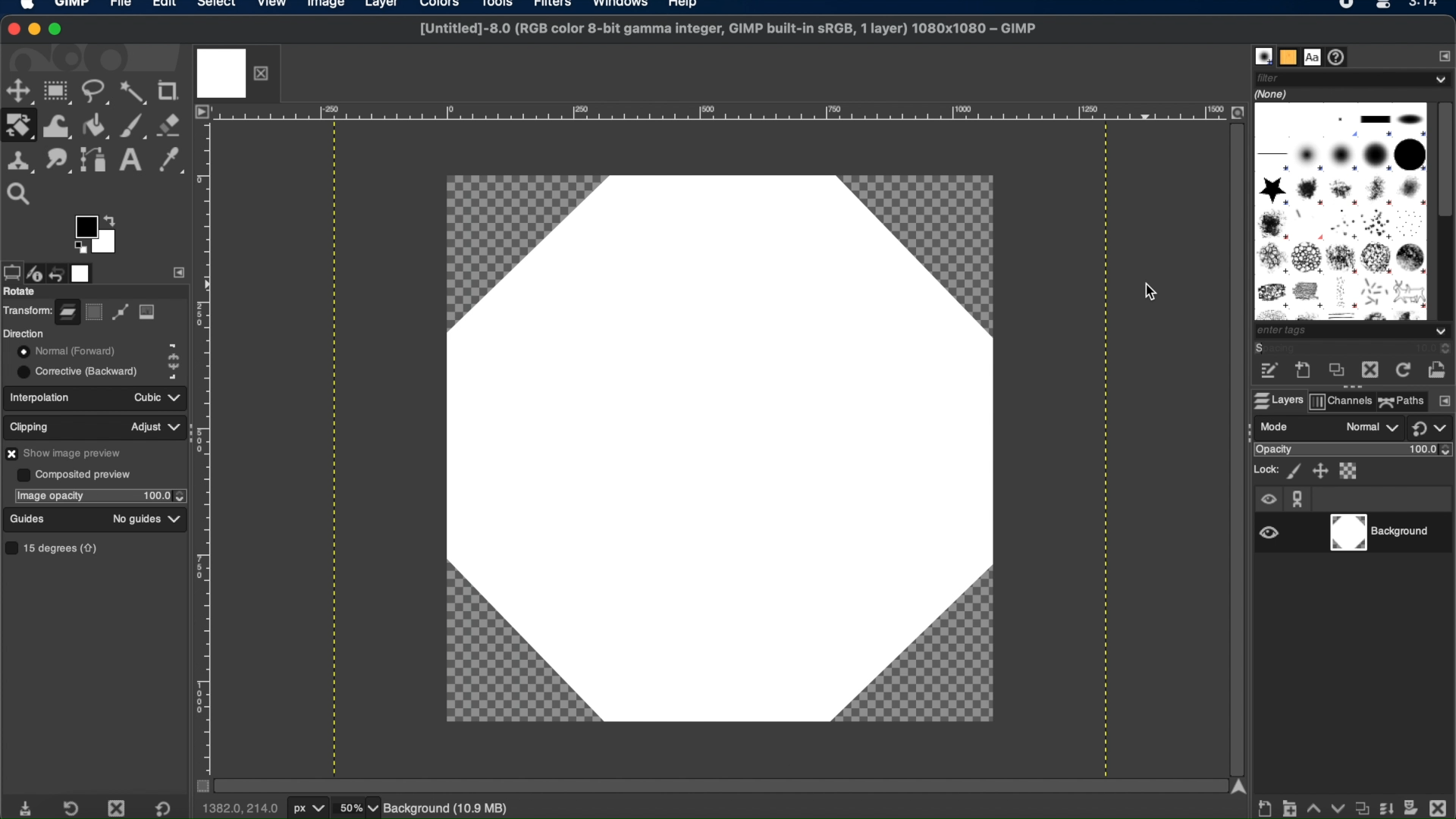 This screenshot has width=1456, height=819. I want to click on rotate, so click(21, 292).